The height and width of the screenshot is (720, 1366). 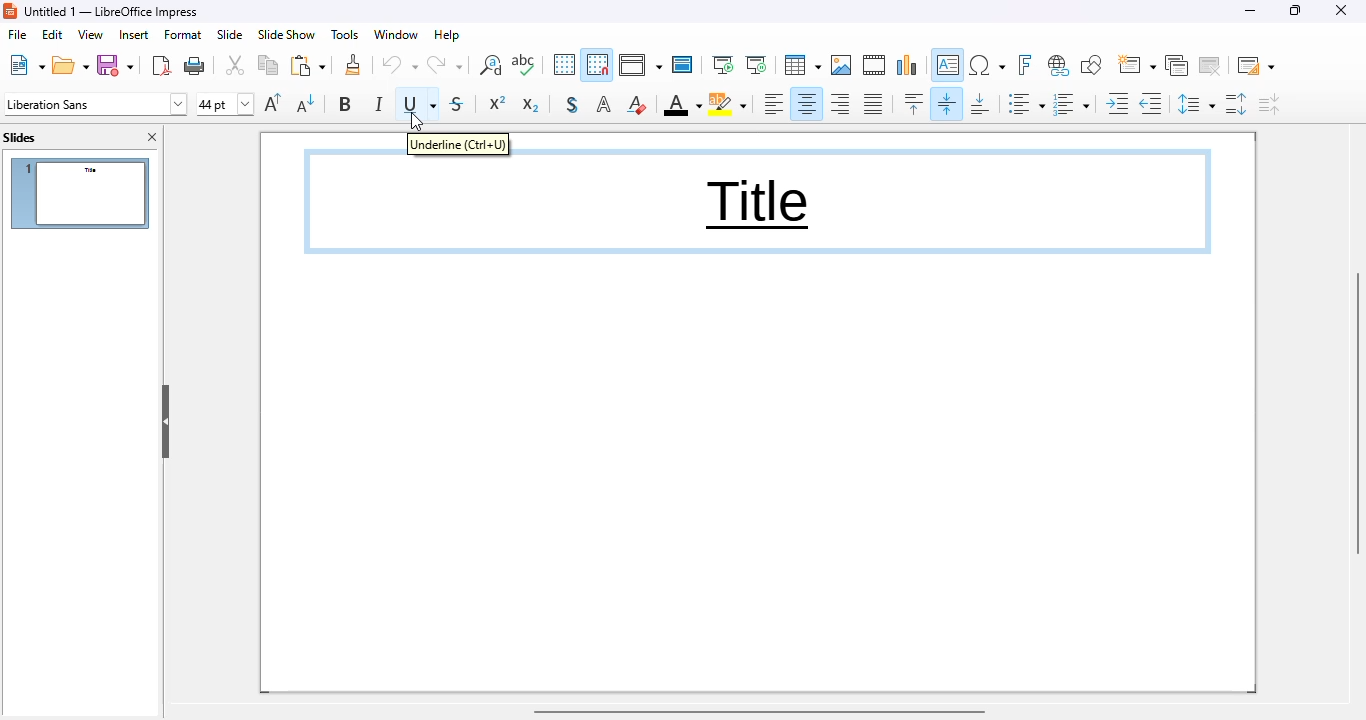 I want to click on font size, so click(x=225, y=104).